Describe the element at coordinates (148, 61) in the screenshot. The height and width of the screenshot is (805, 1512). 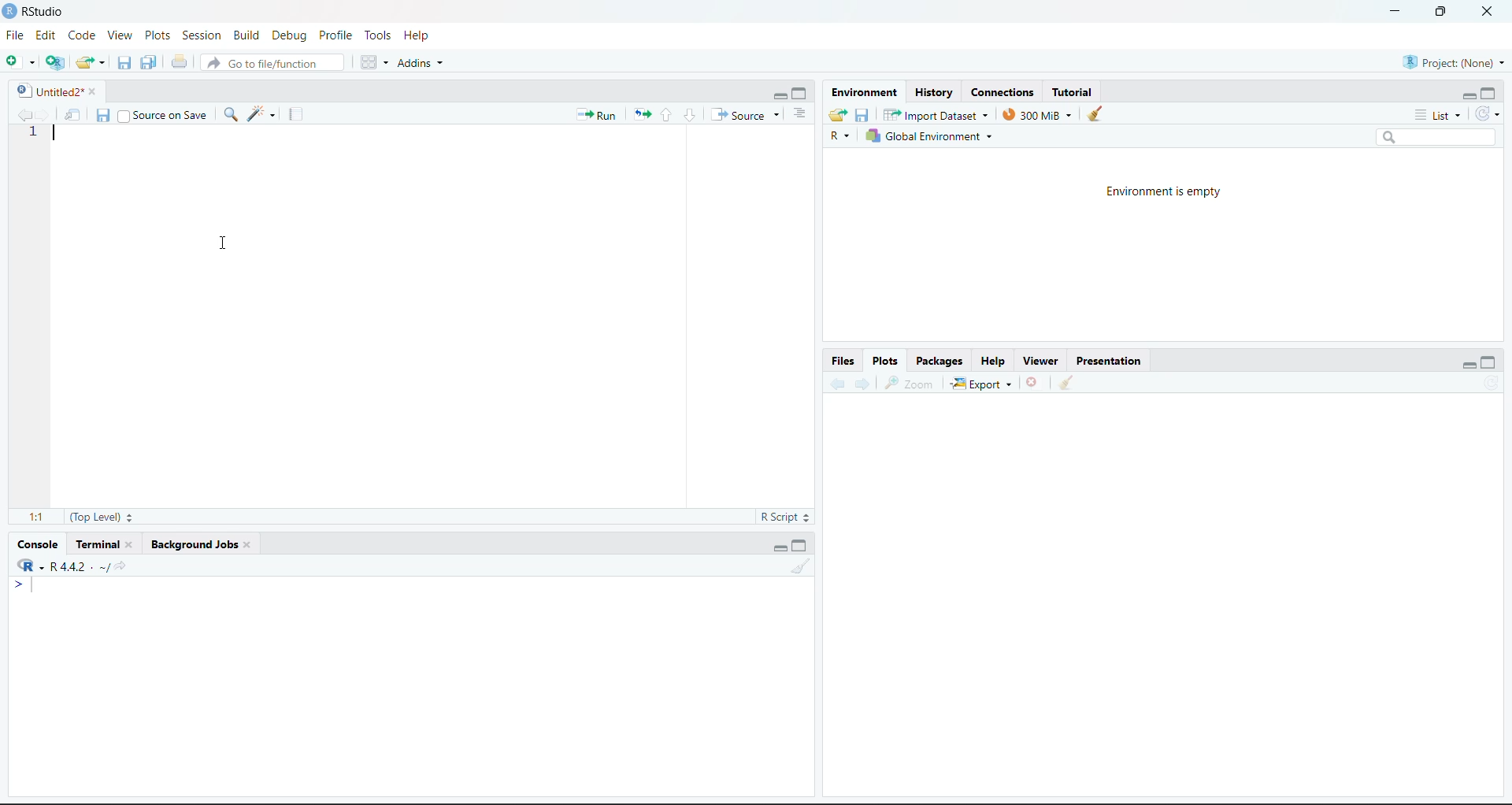
I see `save all open documents` at that location.